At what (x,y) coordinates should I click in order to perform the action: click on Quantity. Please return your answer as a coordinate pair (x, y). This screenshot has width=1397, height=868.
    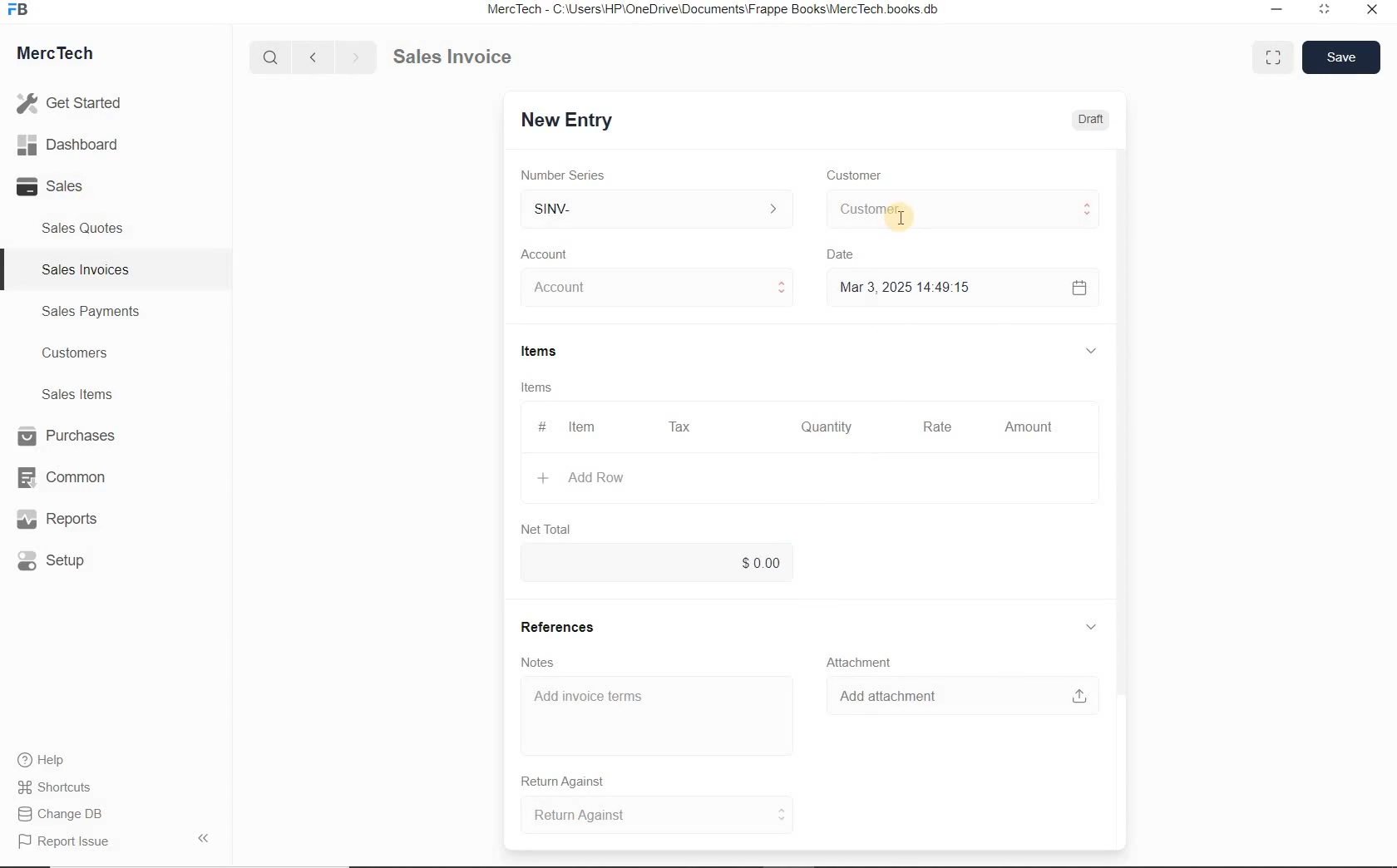
    Looking at the image, I should click on (822, 430).